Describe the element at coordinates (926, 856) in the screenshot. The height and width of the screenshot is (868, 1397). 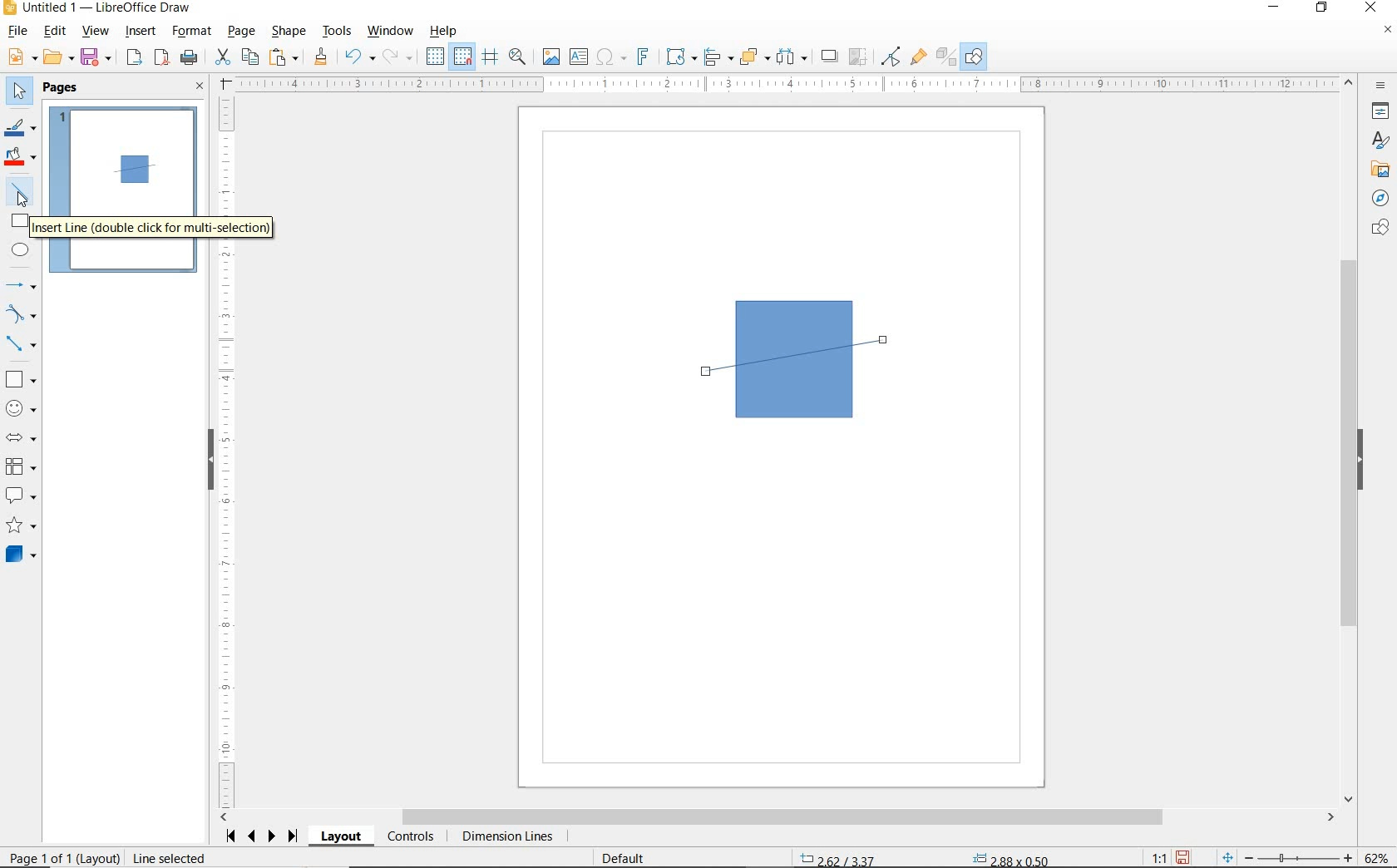
I see `STANDARD SELECTION` at that location.